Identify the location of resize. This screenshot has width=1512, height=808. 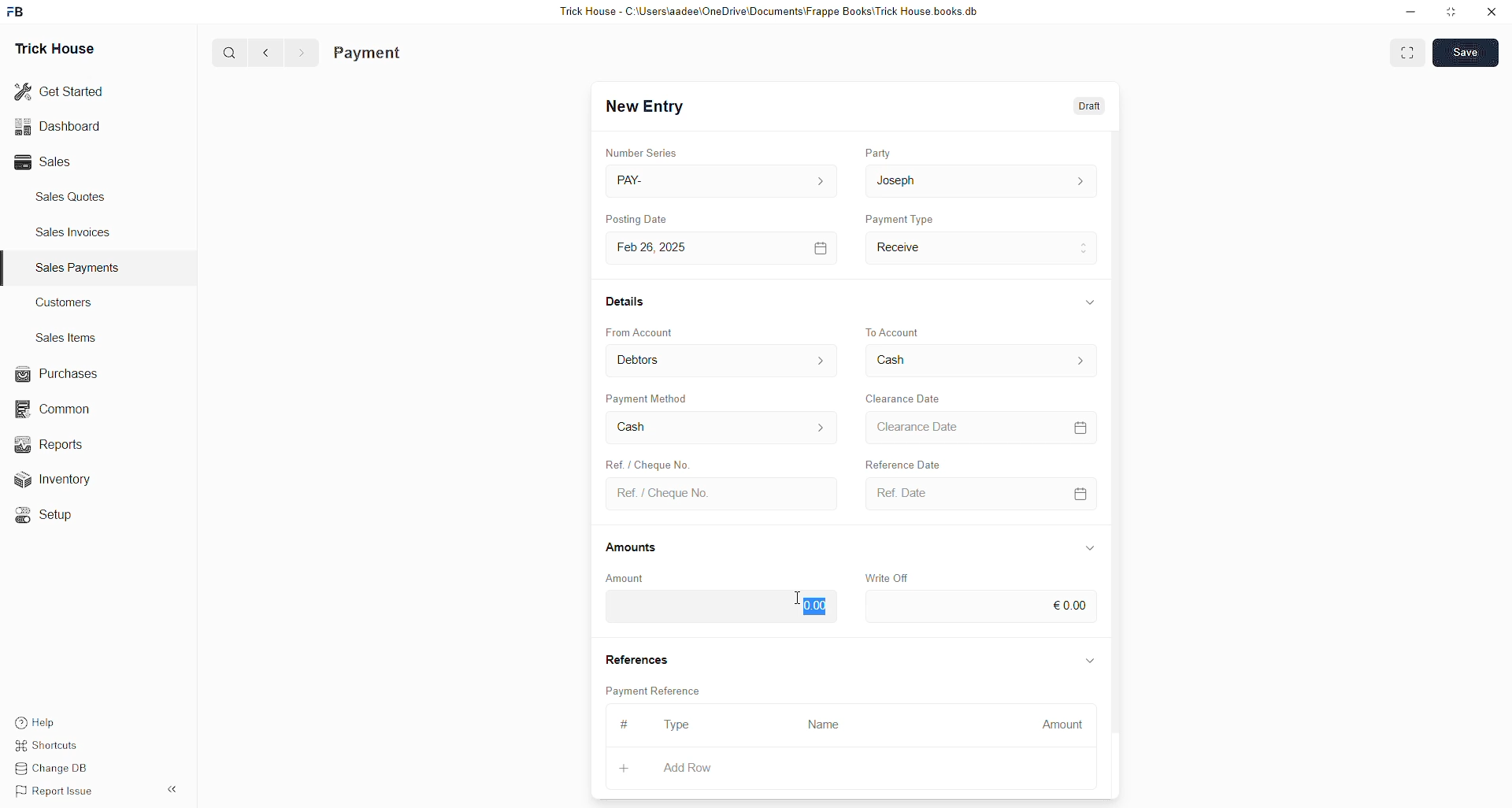
(1452, 12).